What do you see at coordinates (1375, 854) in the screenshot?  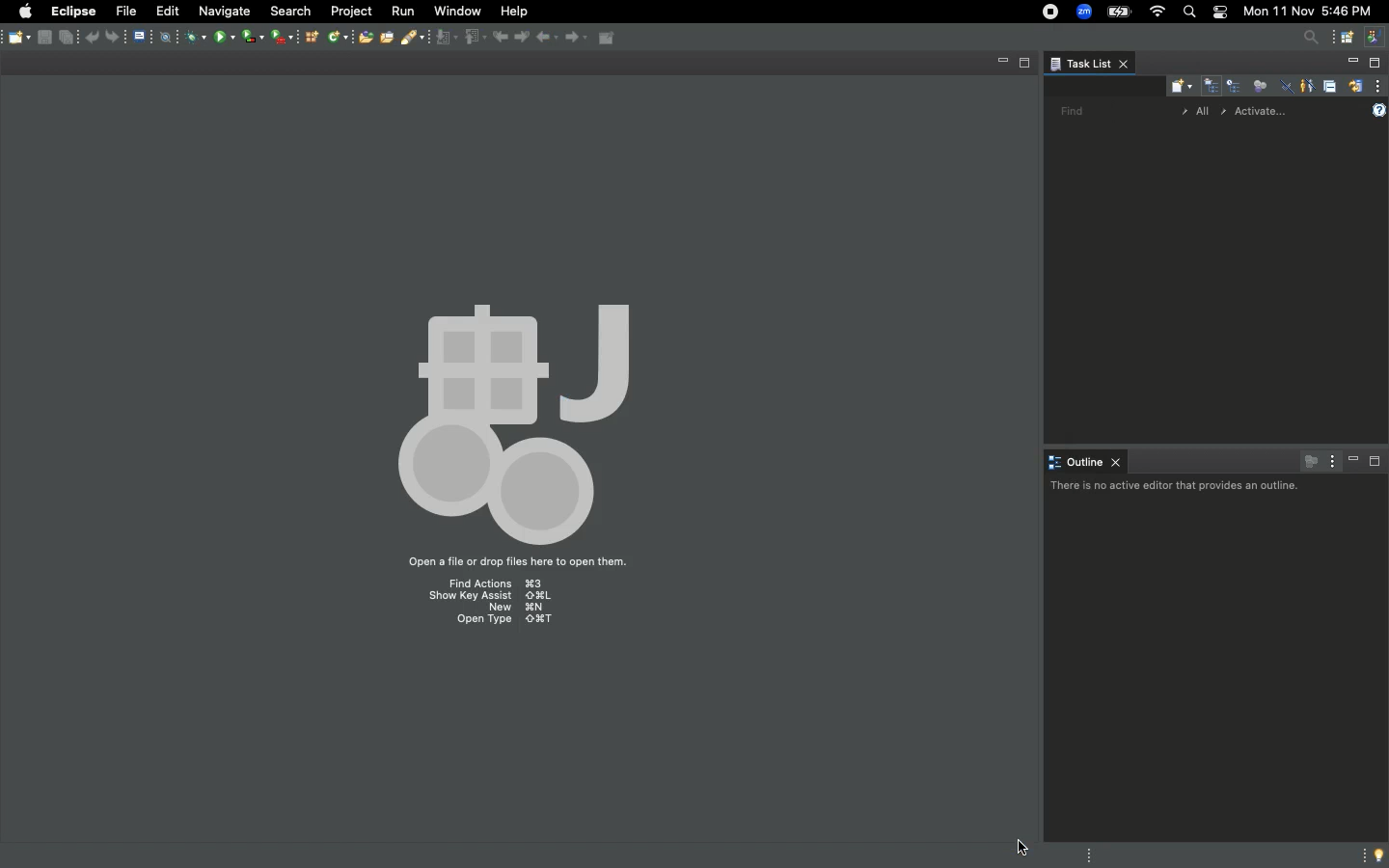 I see `Tip of the day` at bounding box center [1375, 854].